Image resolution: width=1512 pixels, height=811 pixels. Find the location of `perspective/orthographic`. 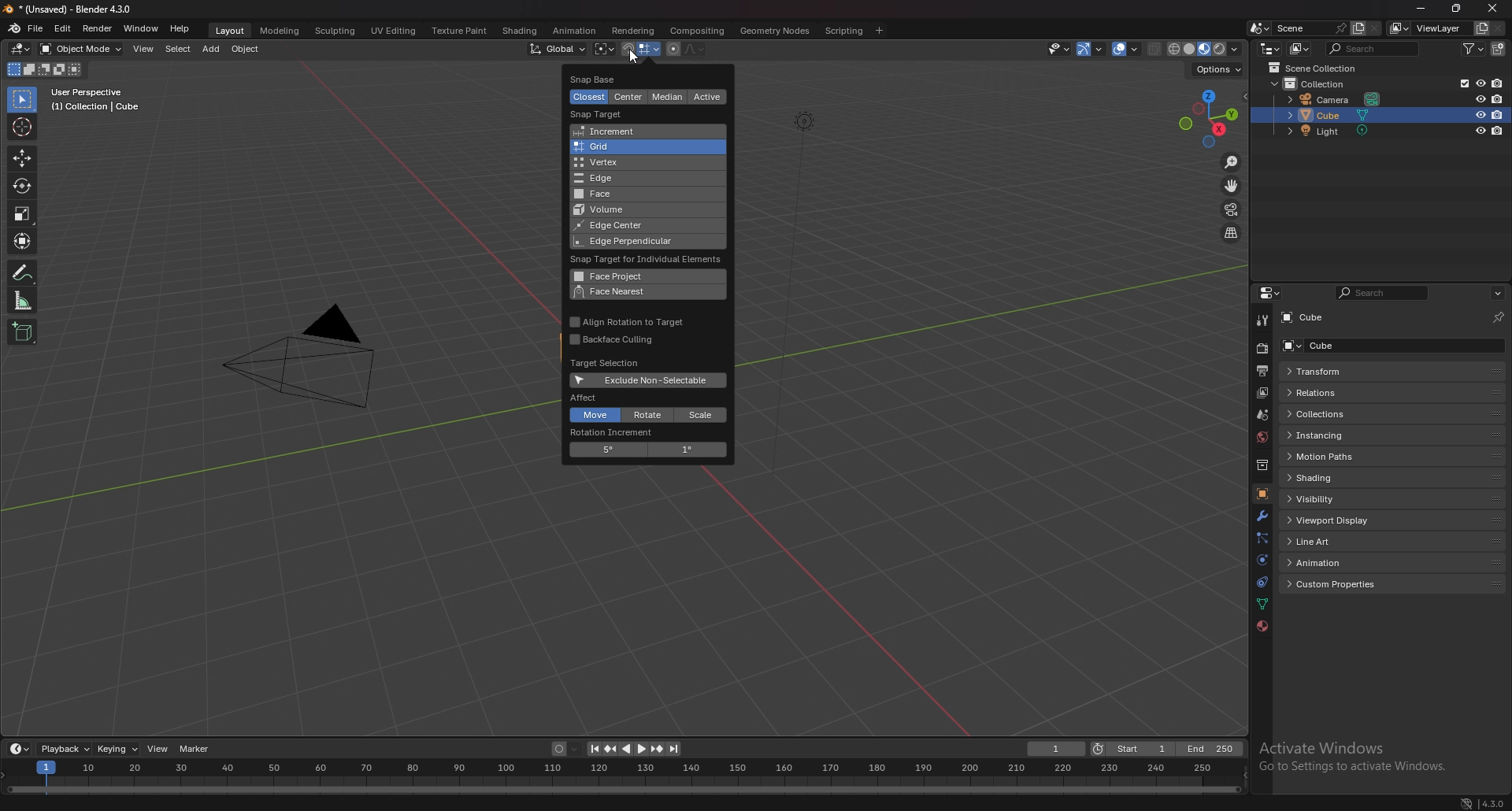

perspective/orthographic is located at coordinates (1231, 232).